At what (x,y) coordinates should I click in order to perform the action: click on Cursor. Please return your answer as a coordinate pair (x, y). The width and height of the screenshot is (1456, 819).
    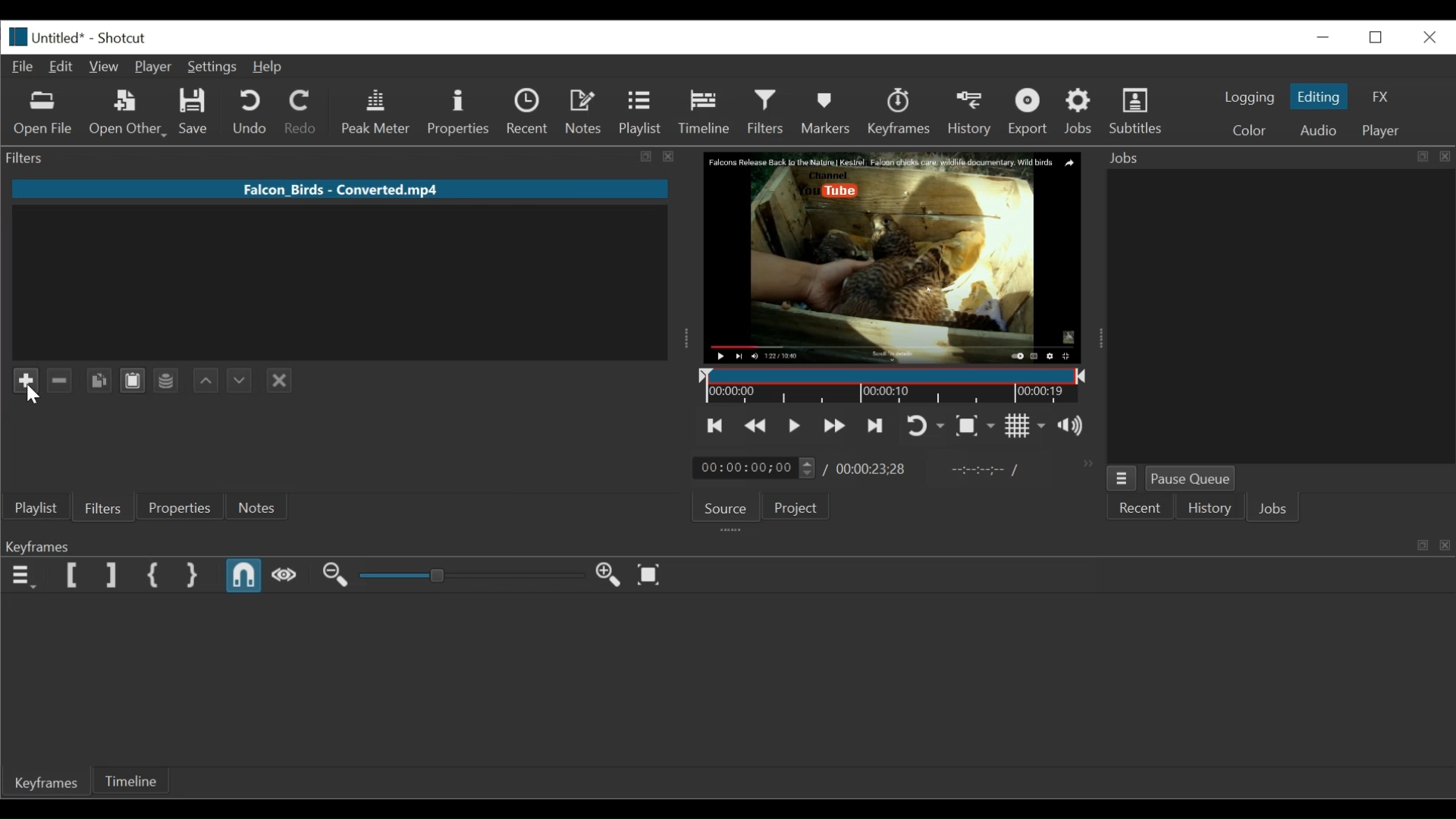
    Looking at the image, I should click on (767, 127).